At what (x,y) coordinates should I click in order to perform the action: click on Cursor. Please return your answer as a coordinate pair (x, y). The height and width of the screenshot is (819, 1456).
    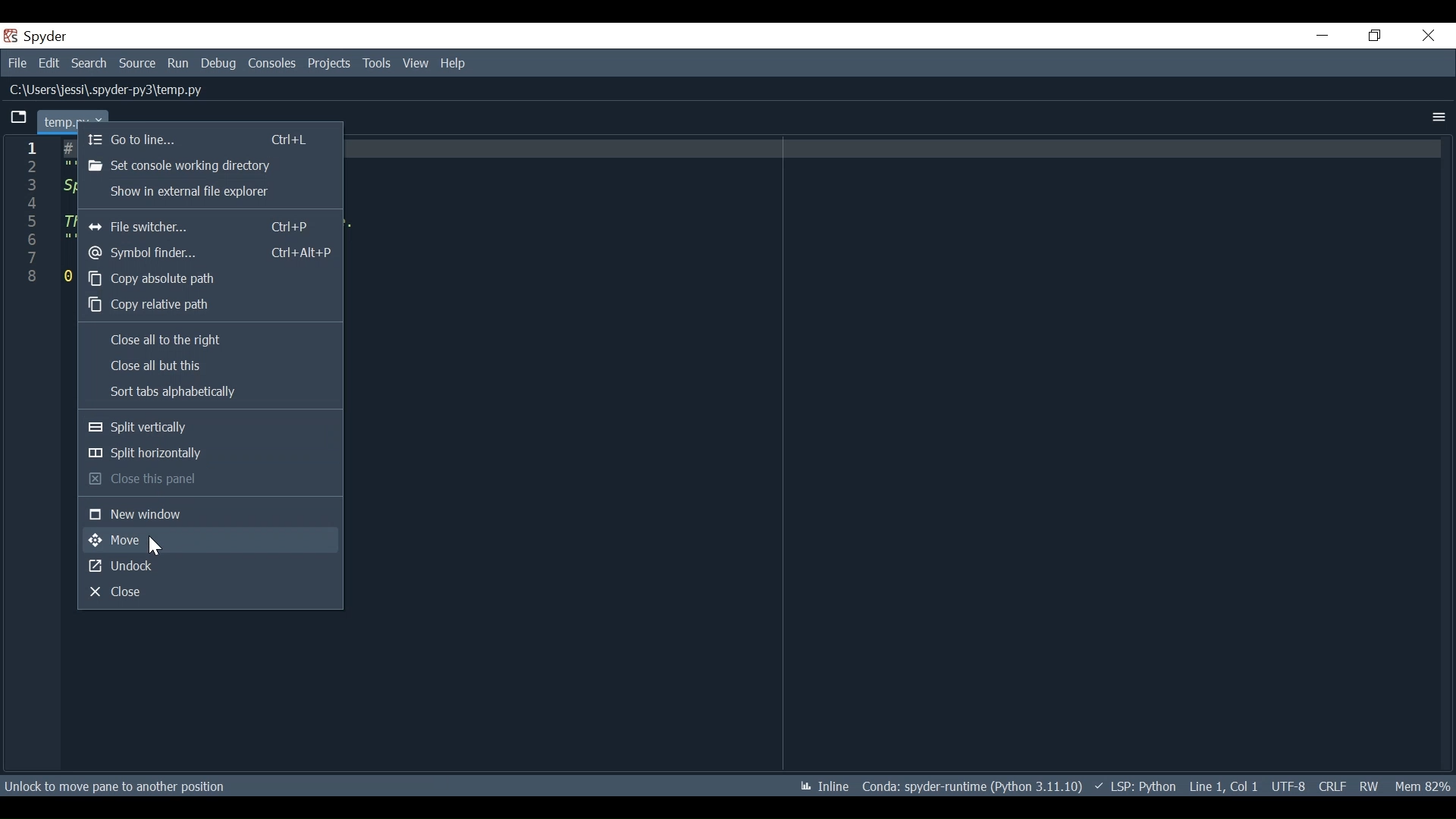
    Looking at the image, I should click on (155, 547).